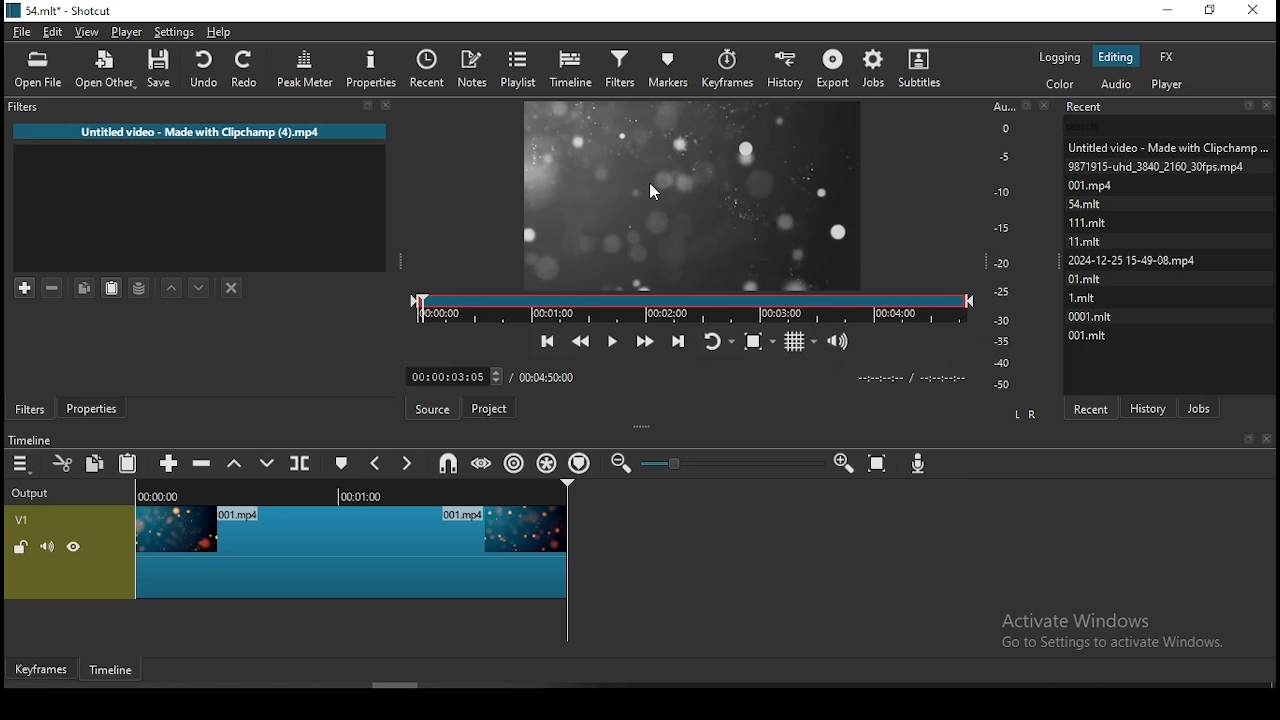 This screenshot has height=720, width=1280. I want to click on edit, so click(55, 31).